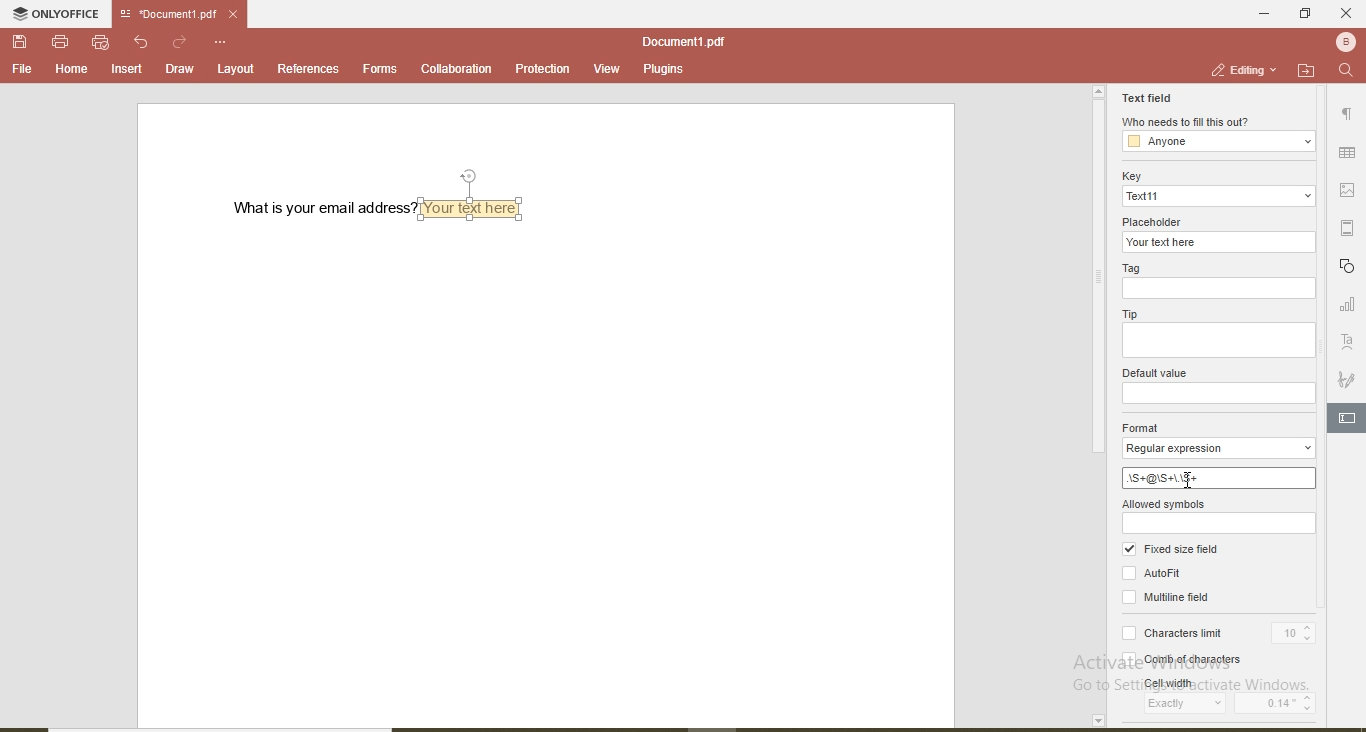  Describe the element at coordinates (1217, 341) in the screenshot. I see `tip input` at that location.